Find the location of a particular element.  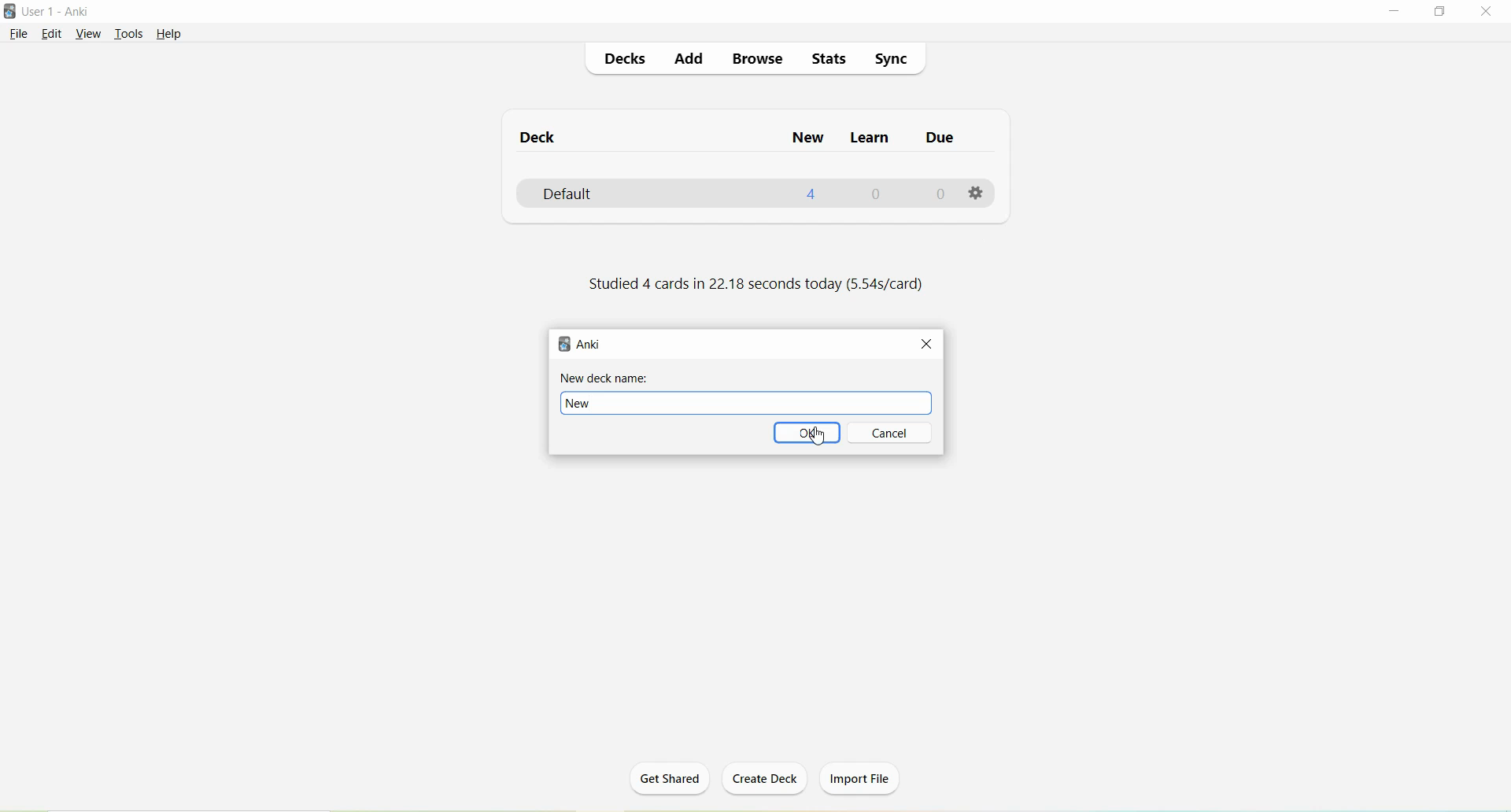

Studied 4 cards in 22.18 seconds today (5.54s/card) is located at coordinates (754, 285).